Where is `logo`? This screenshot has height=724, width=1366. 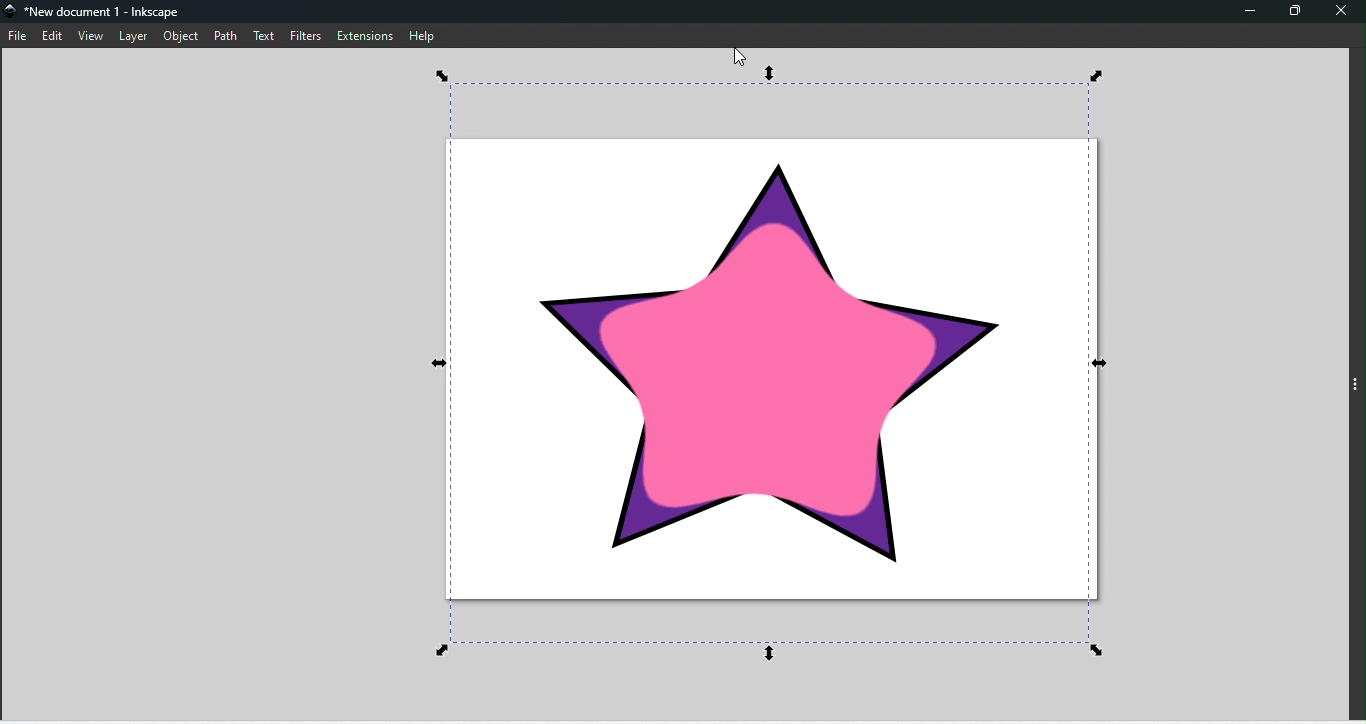 logo is located at coordinates (12, 14).